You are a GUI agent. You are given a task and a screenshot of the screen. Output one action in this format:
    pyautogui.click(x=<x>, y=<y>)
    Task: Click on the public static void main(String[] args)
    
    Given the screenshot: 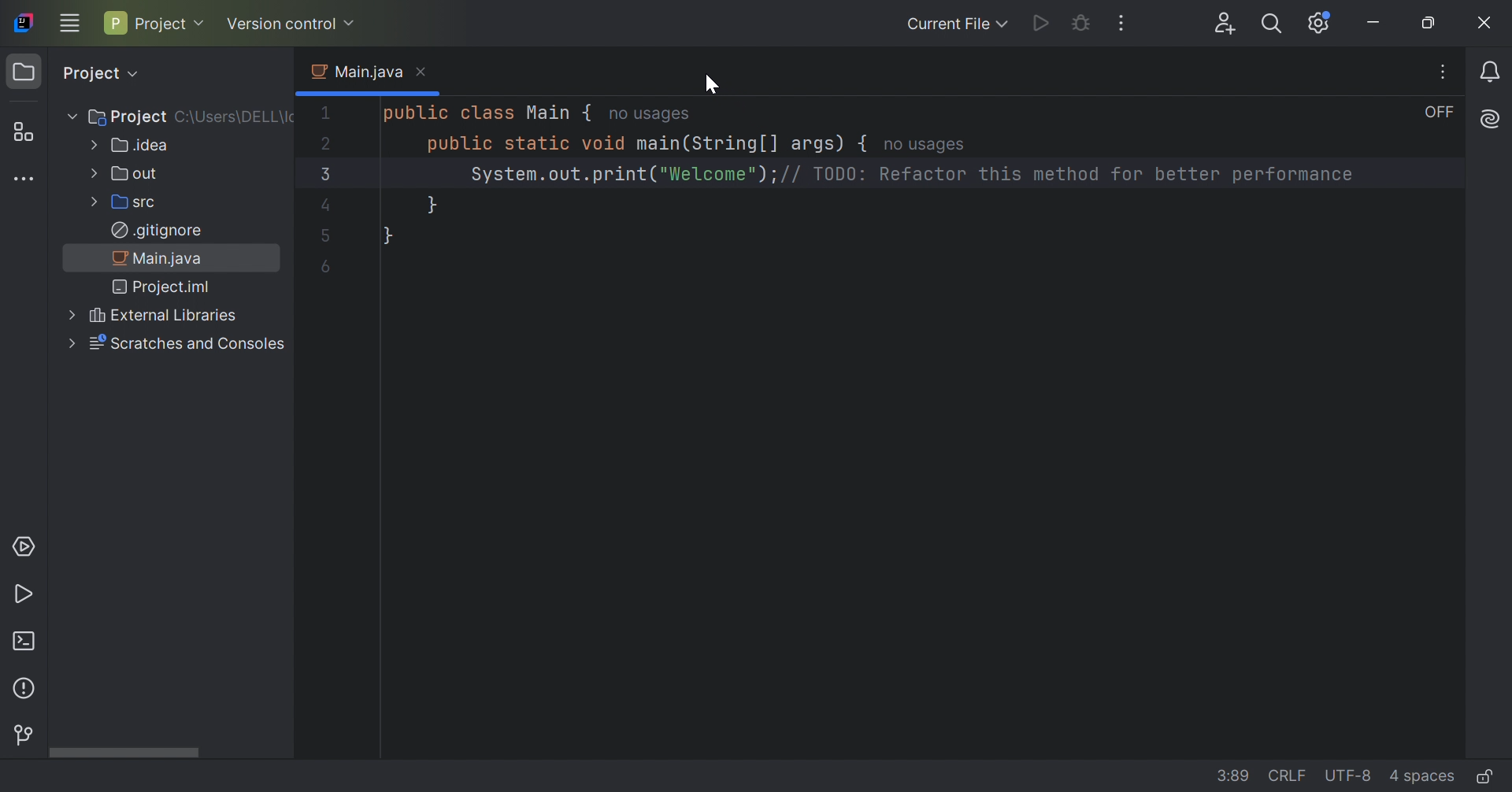 What is the action you would take?
    pyautogui.click(x=632, y=146)
    